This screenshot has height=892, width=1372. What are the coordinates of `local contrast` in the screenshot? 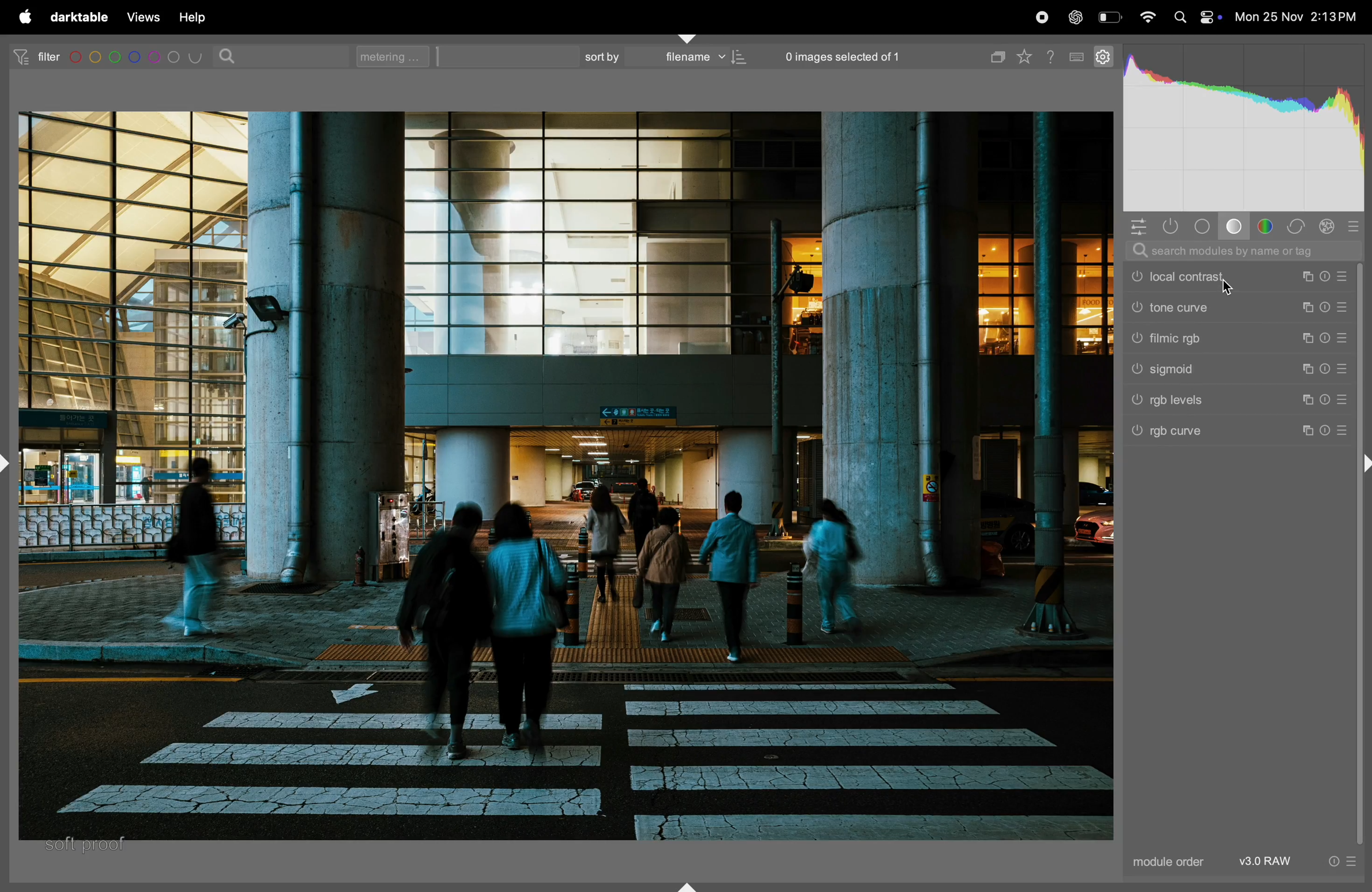 It's located at (1232, 277).